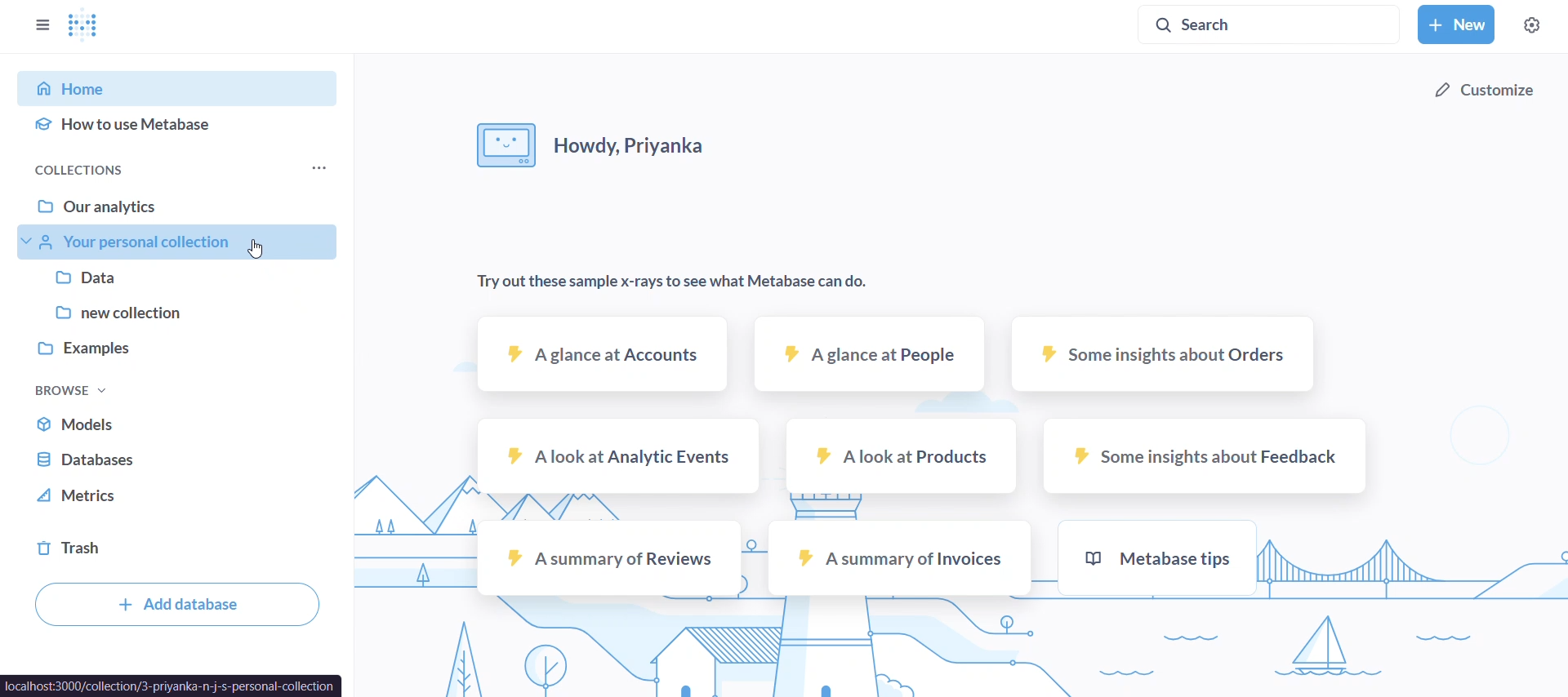 This screenshot has height=697, width=1568. I want to click on our analytics, so click(183, 210).